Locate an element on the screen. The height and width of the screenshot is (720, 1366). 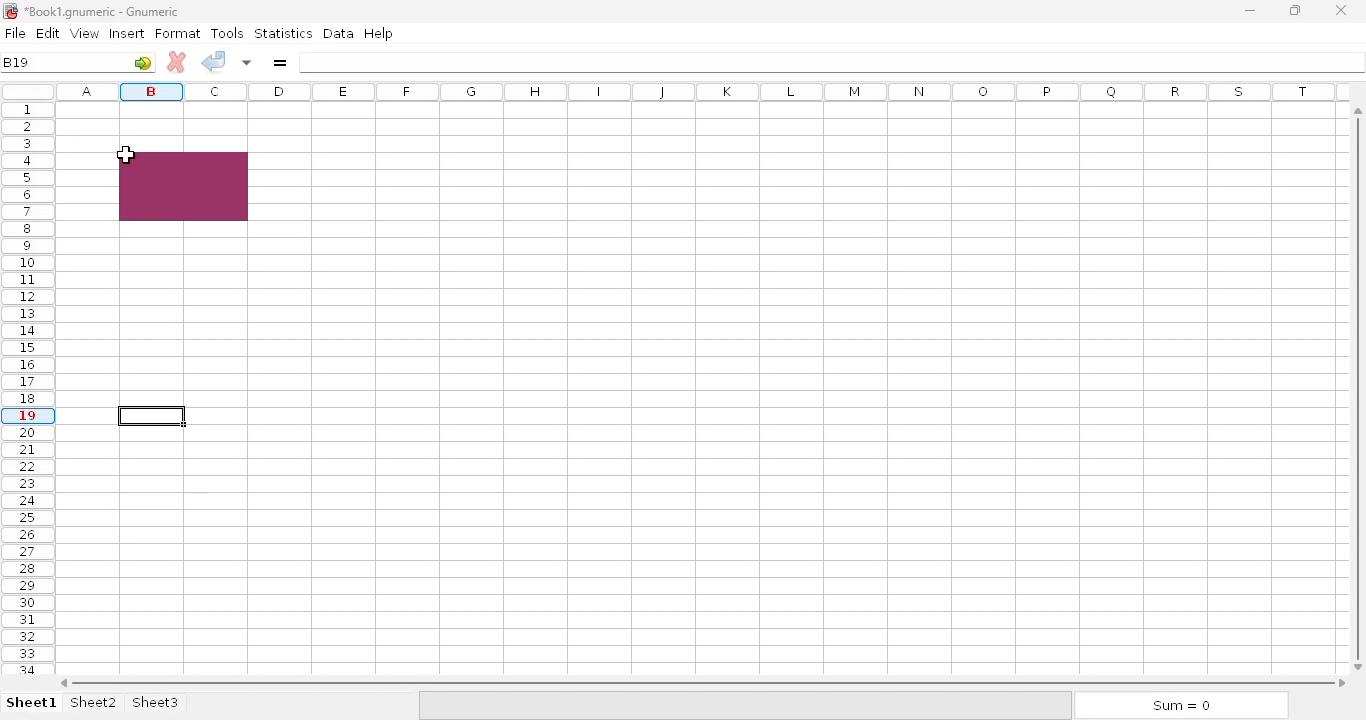
enter formula is located at coordinates (281, 62).